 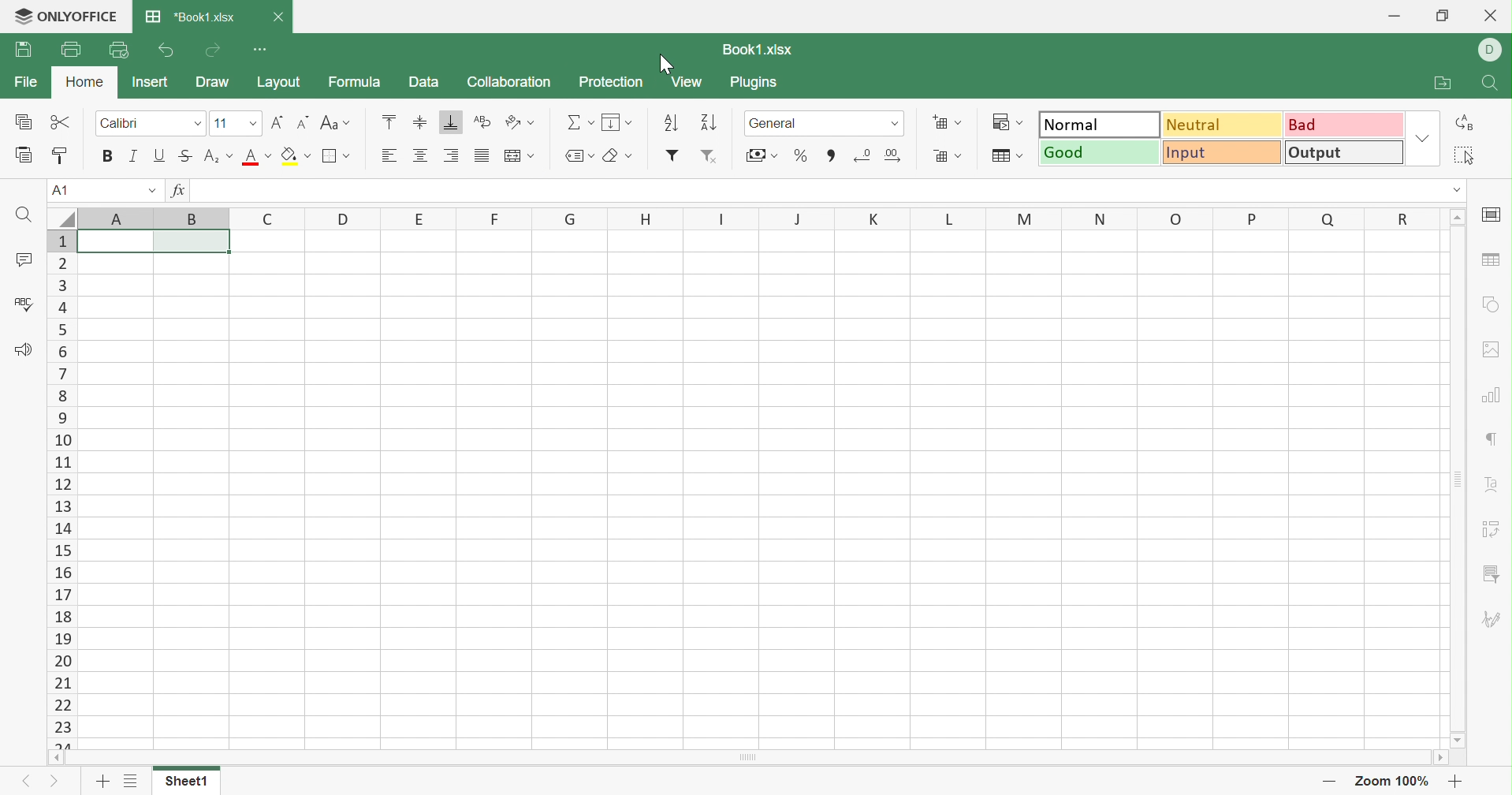 I want to click on Home, so click(x=88, y=84).